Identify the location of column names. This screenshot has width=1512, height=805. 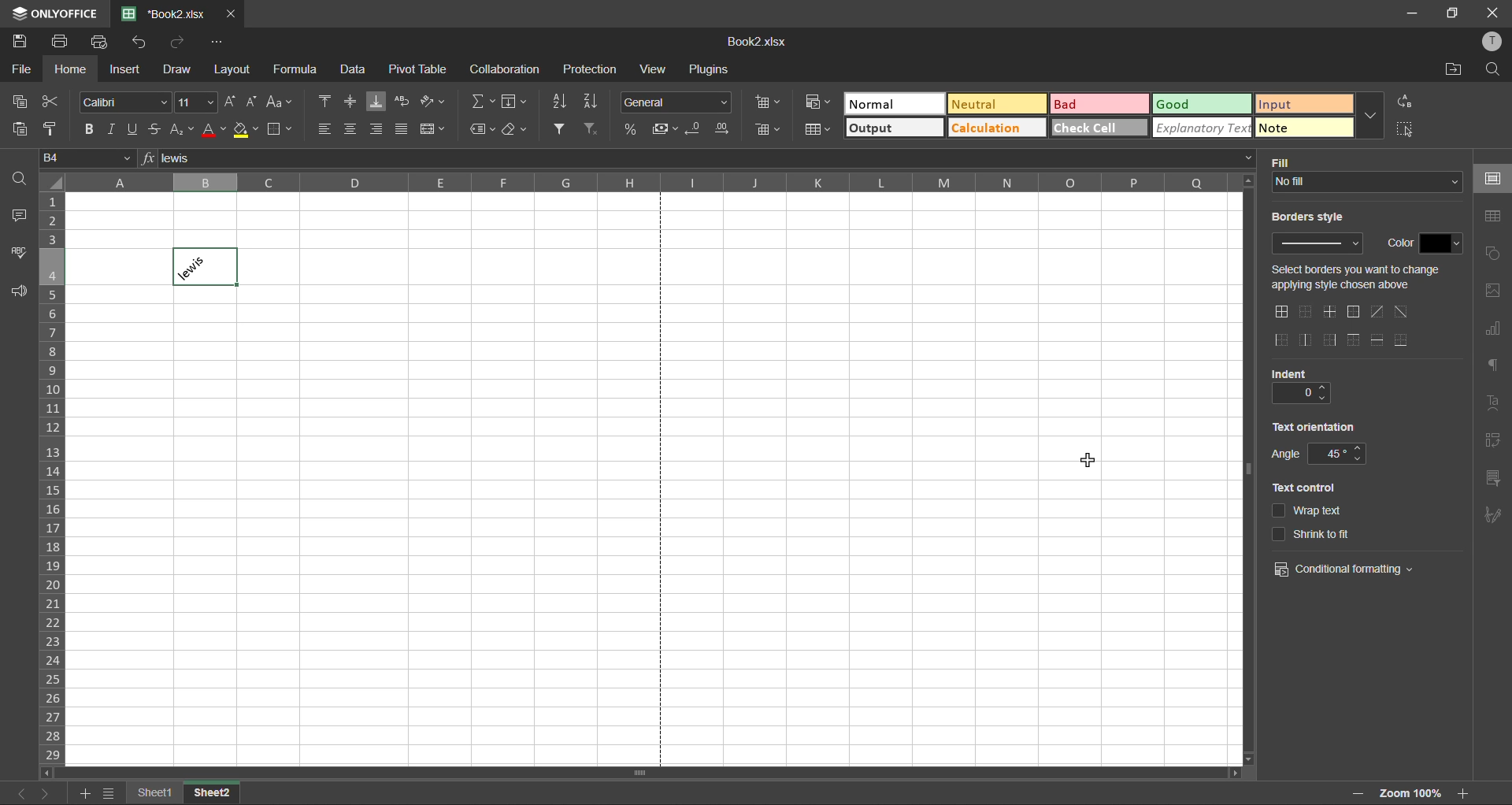
(652, 181).